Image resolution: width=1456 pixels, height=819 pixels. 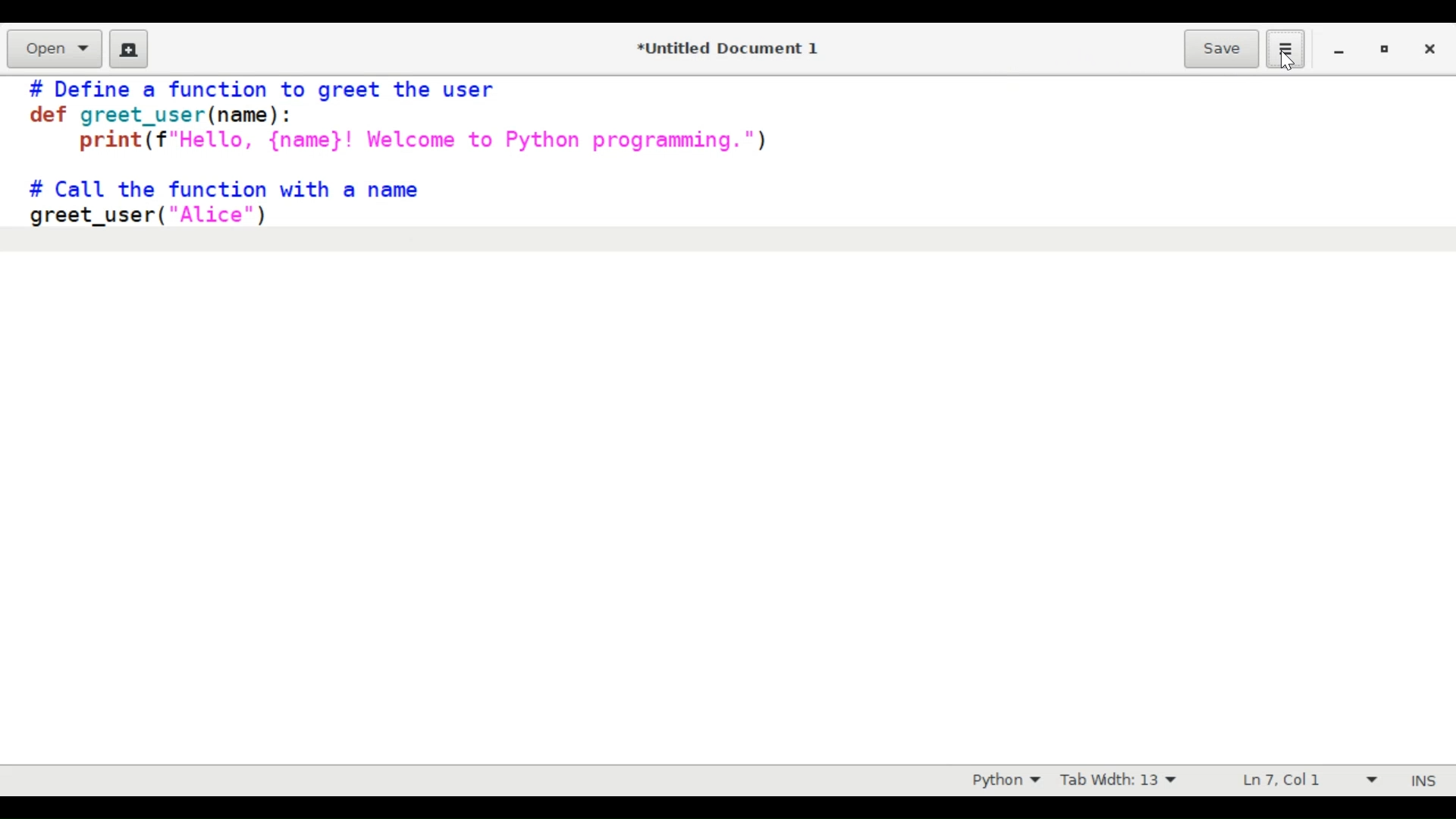 I want to click on Tab Width, so click(x=1116, y=780).